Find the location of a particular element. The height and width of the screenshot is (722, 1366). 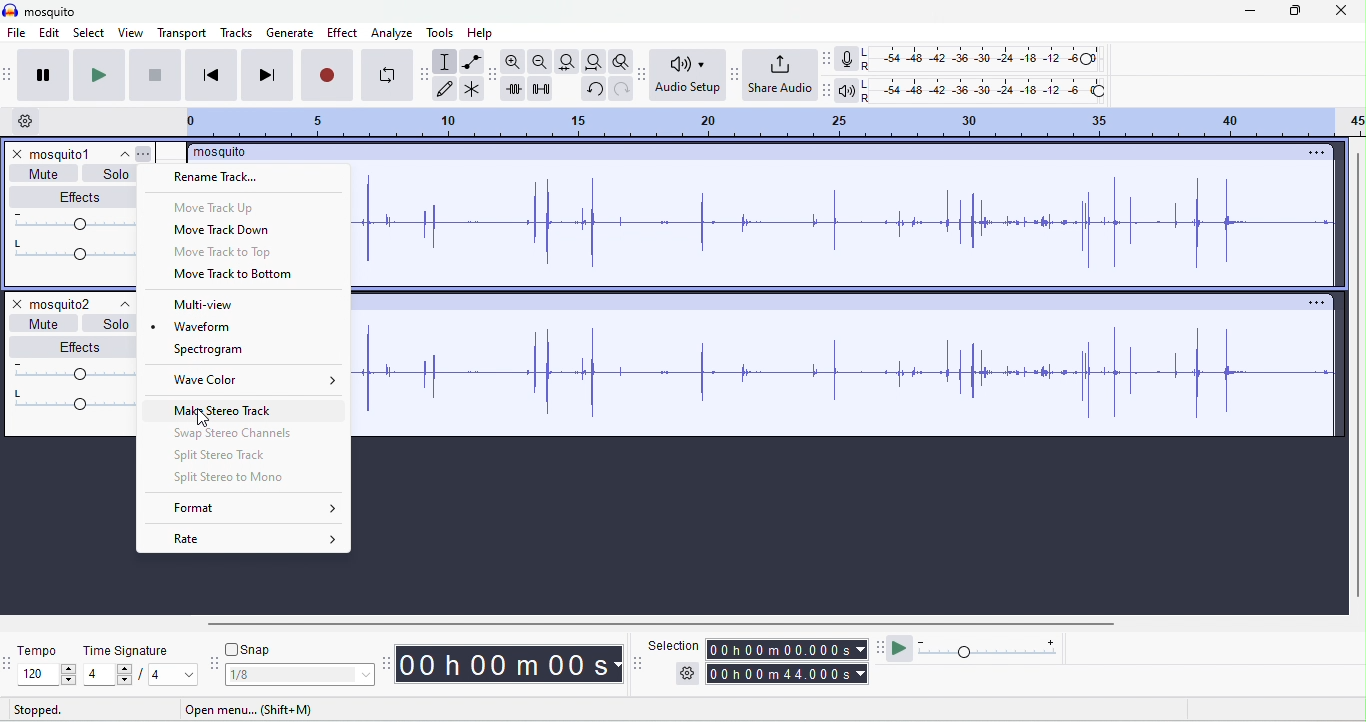

track2 is located at coordinates (84, 305).